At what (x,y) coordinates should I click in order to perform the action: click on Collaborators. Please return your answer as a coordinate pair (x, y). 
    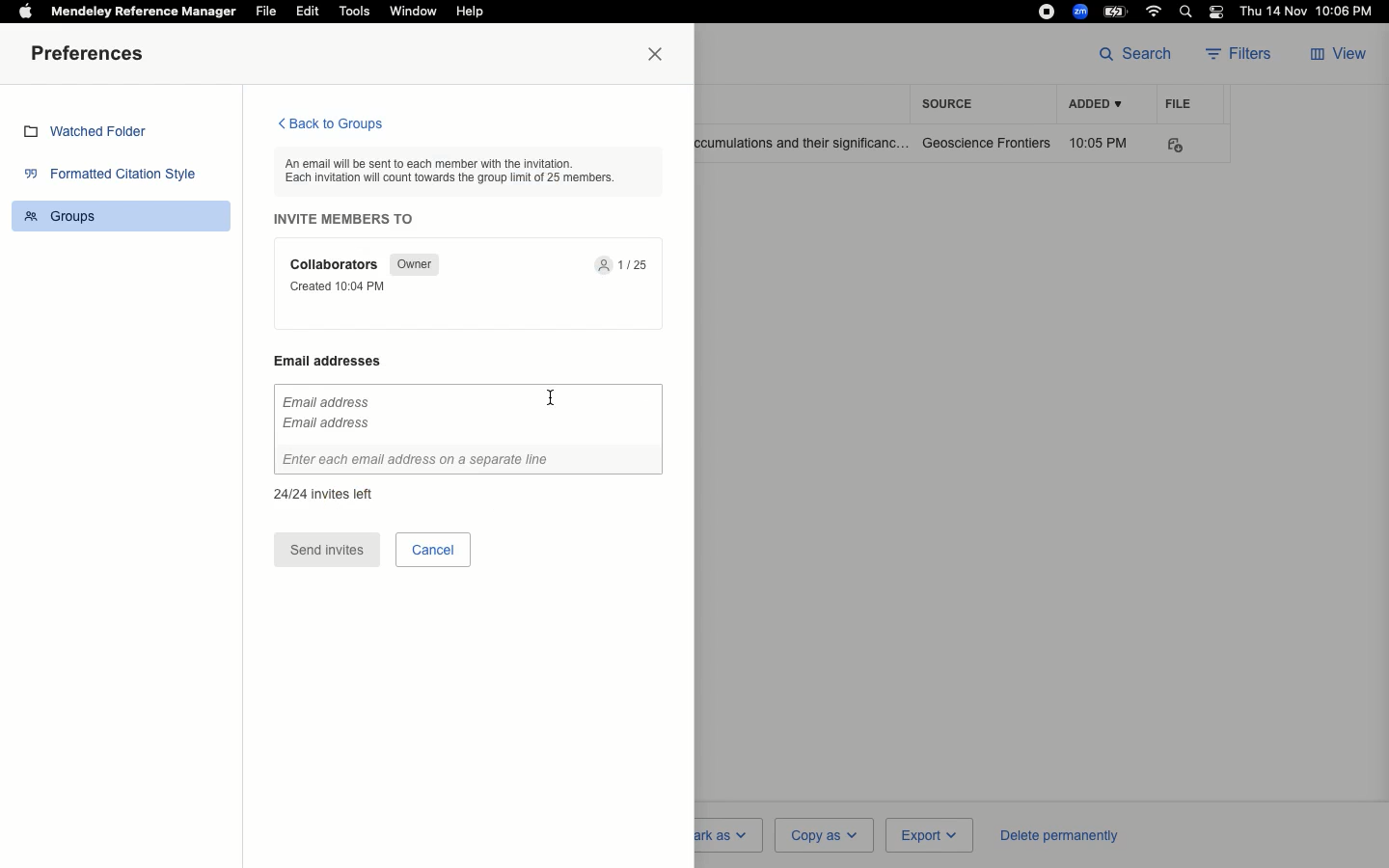
    Looking at the image, I should click on (337, 264).